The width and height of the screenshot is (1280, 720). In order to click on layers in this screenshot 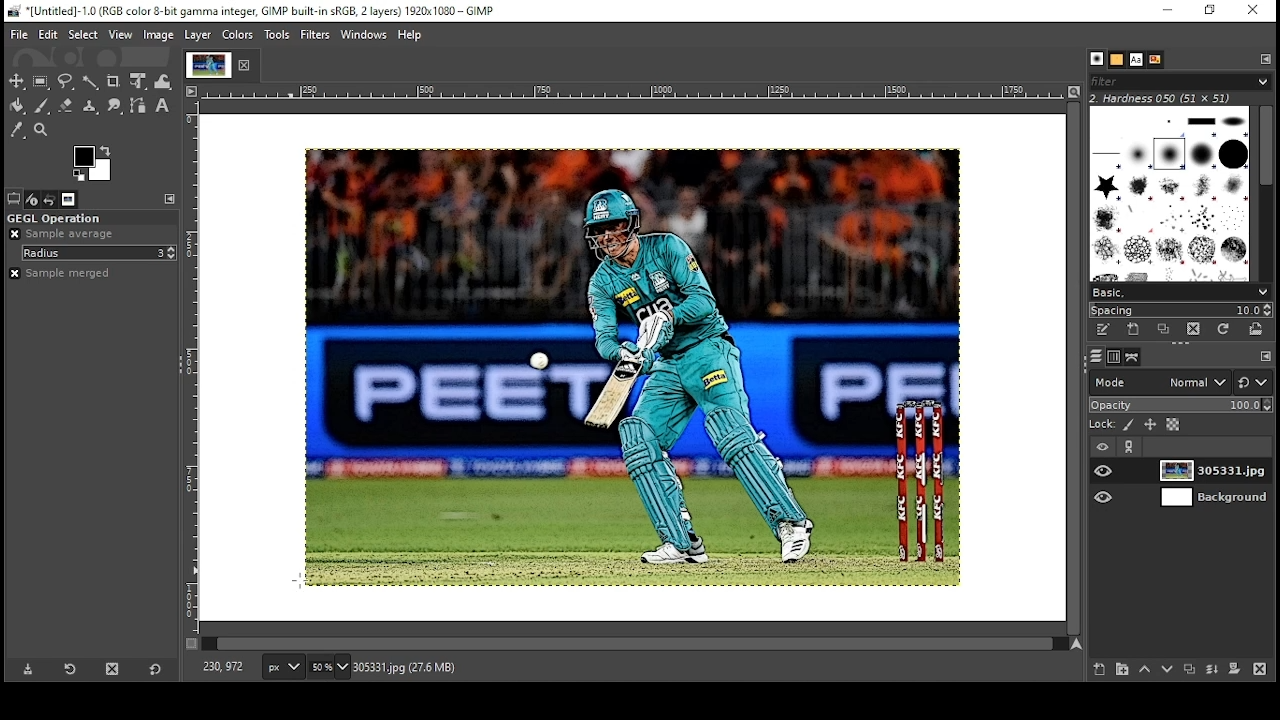, I will do `click(1097, 357)`.